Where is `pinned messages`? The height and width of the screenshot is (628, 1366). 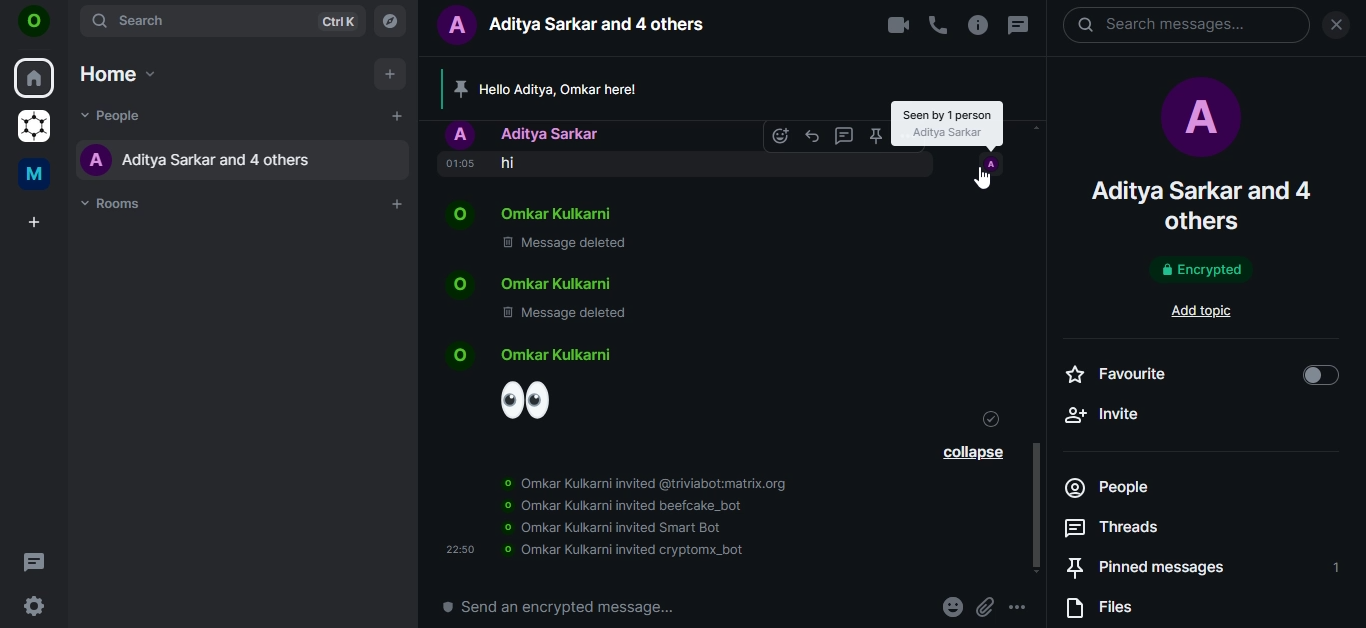
pinned messages is located at coordinates (1198, 567).